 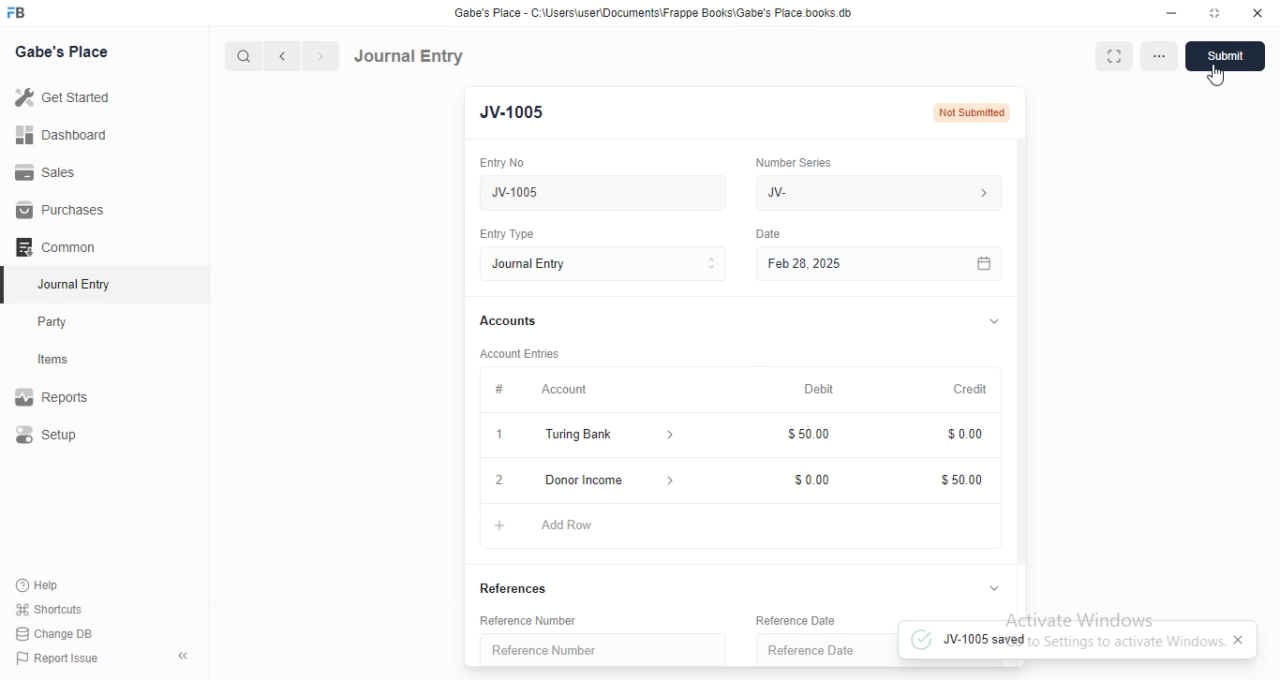 I want to click on search, so click(x=245, y=56).